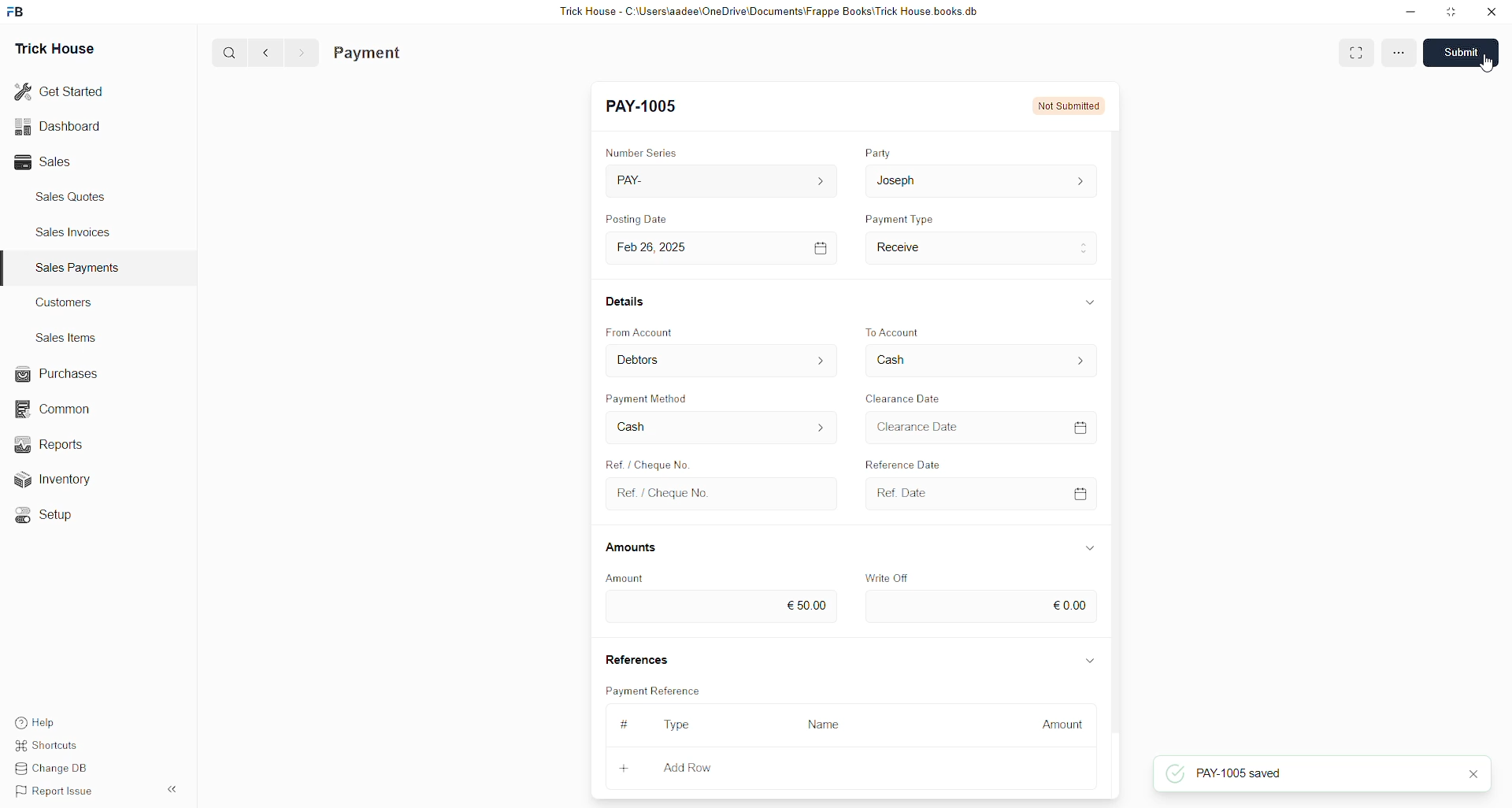 The image size is (1512, 808). Describe the element at coordinates (78, 232) in the screenshot. I see `Sales Invoices` at that location.